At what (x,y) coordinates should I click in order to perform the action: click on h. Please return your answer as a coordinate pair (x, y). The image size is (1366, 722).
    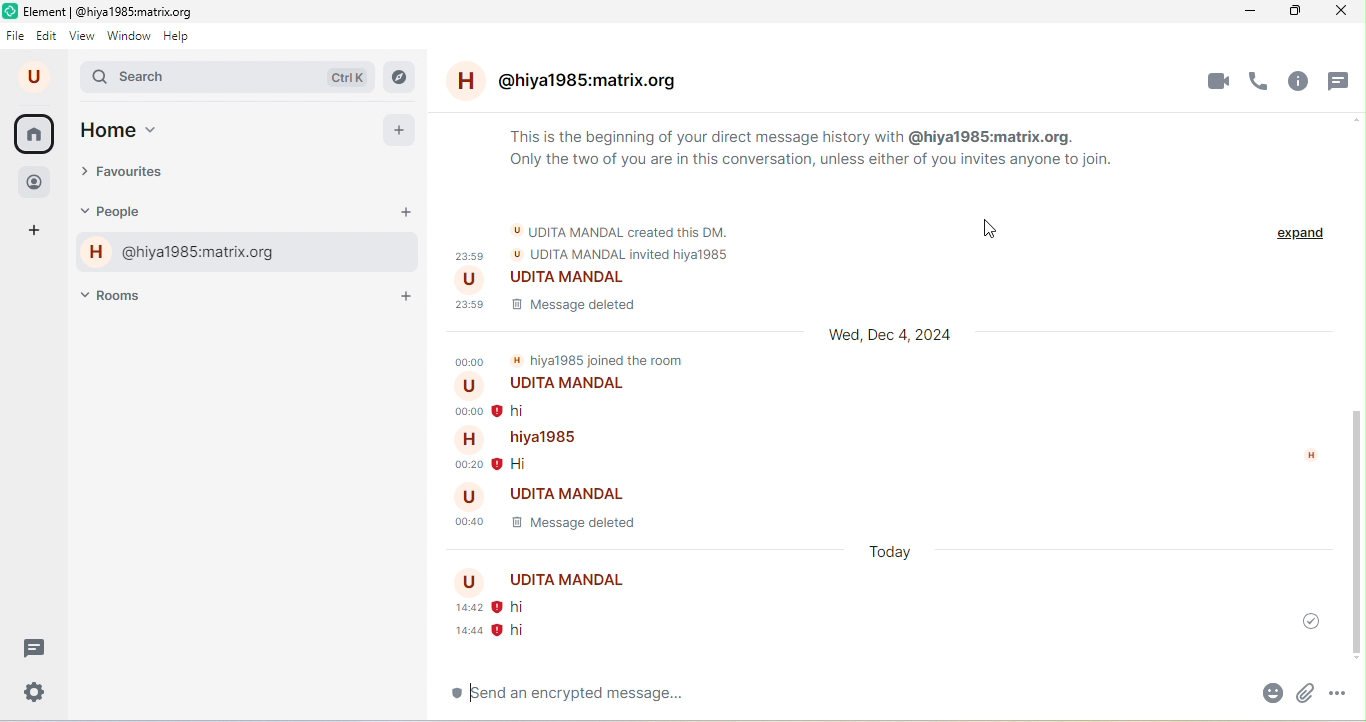
    Looking at the image, I should click on (1303, 456).